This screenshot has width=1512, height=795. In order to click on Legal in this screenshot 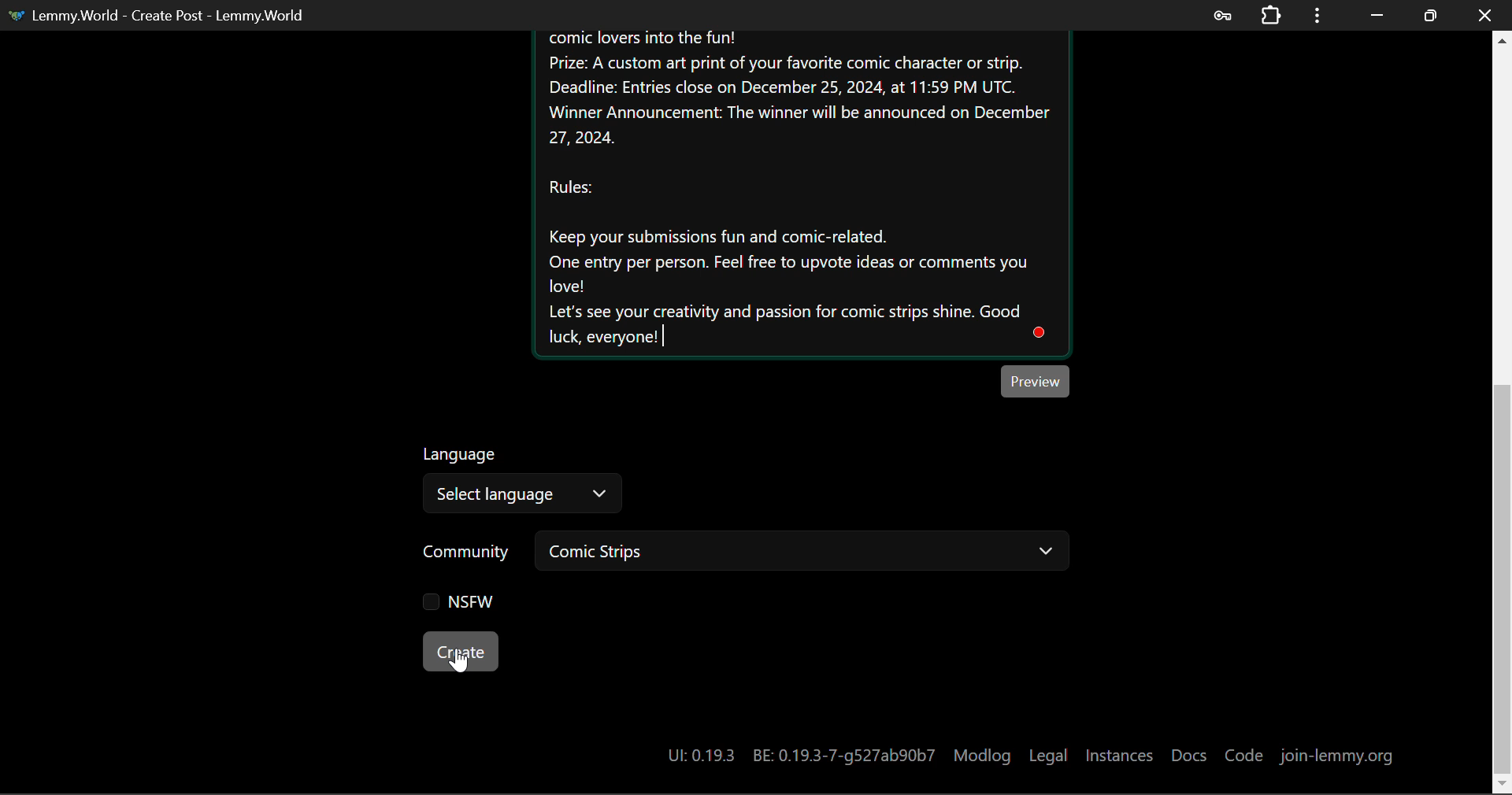, I will do `click(1047, 756)`.